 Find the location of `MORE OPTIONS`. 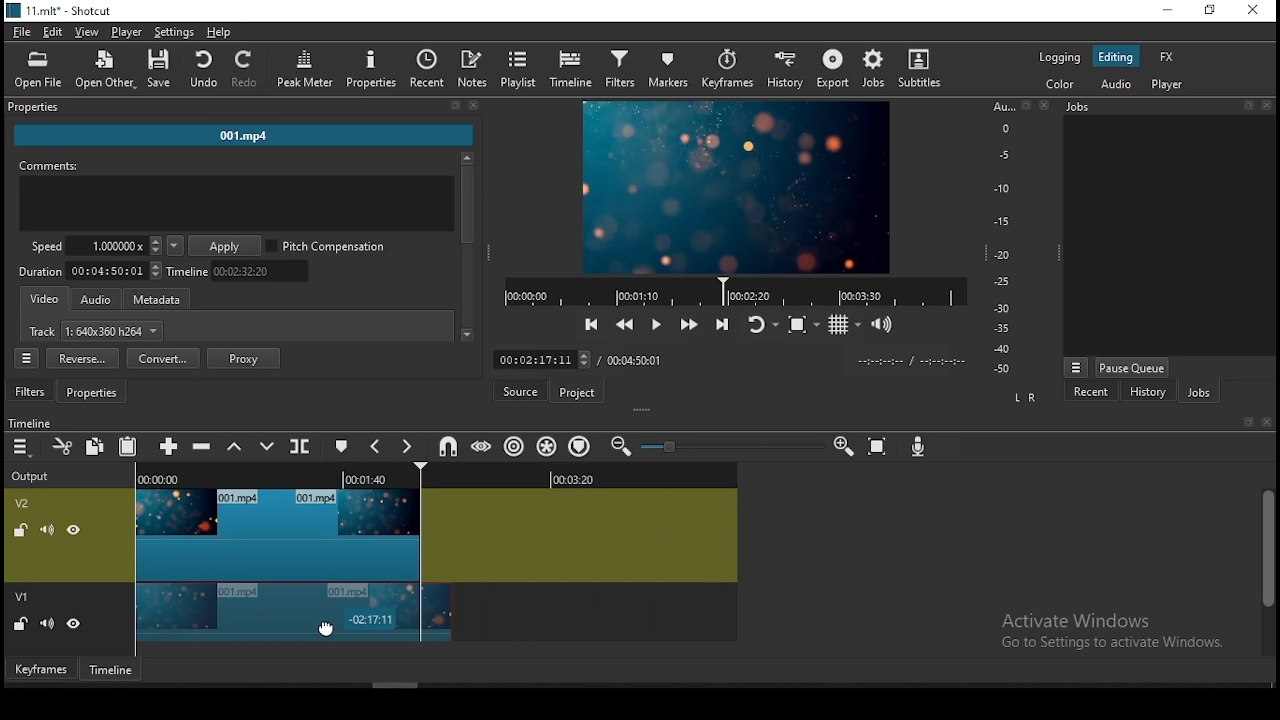

MORE OPTIONS is located at coordinates (1075, 366).